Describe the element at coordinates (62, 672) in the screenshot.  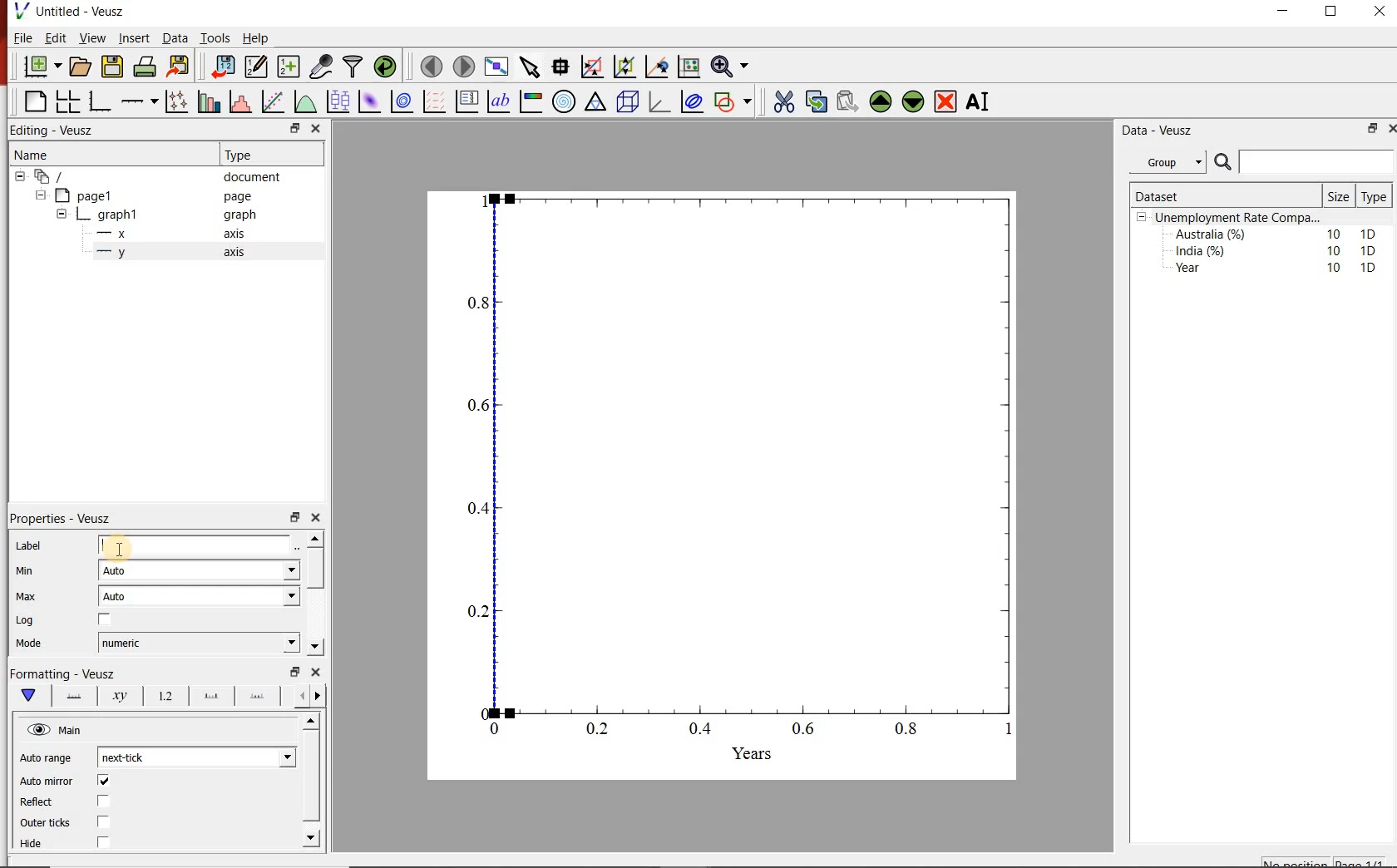
I see `Formatting - Veusz` at that location.